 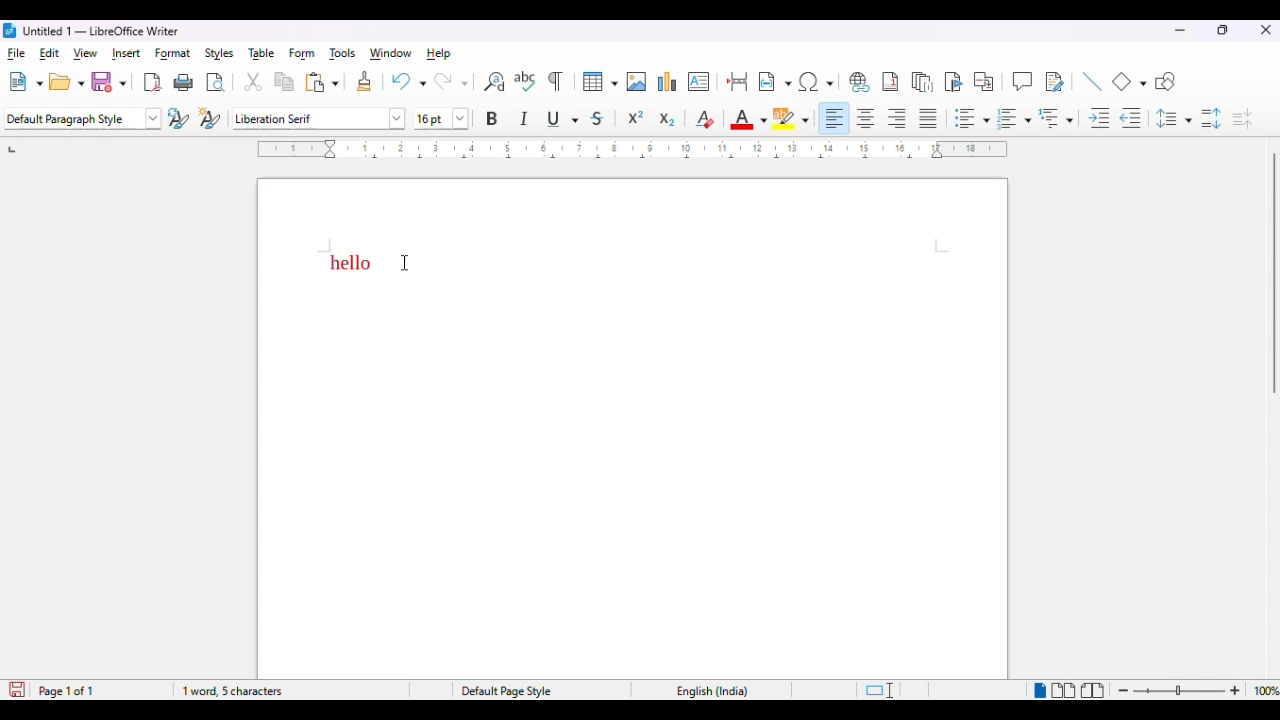 I want to click on set paragraph style, so click(x=83, y=119).